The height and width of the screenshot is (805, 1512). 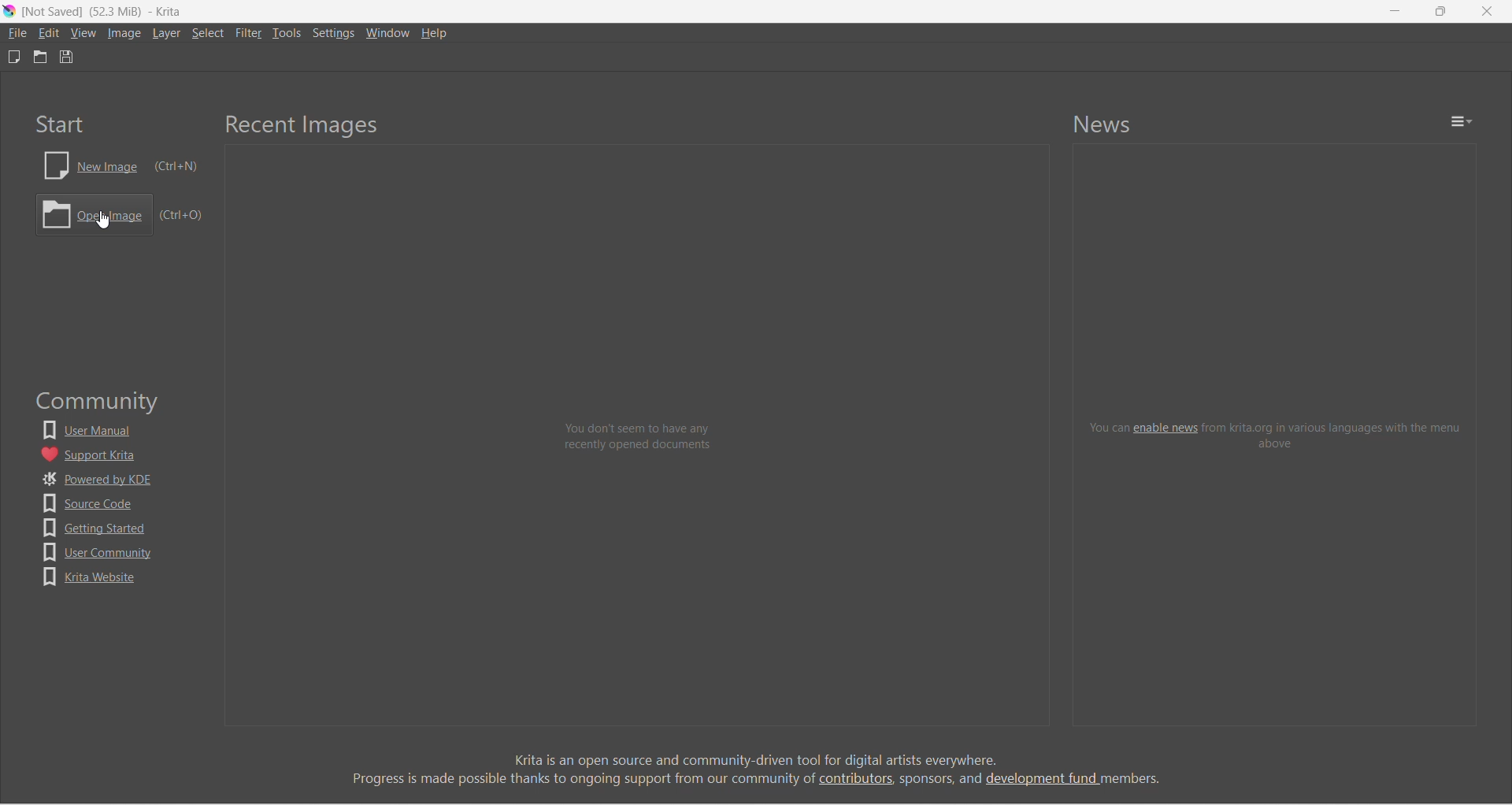 What do you see at coordinates (640, 438) in the screenshot?
I see `information related recently opened document` at bounding box center [640, 438].